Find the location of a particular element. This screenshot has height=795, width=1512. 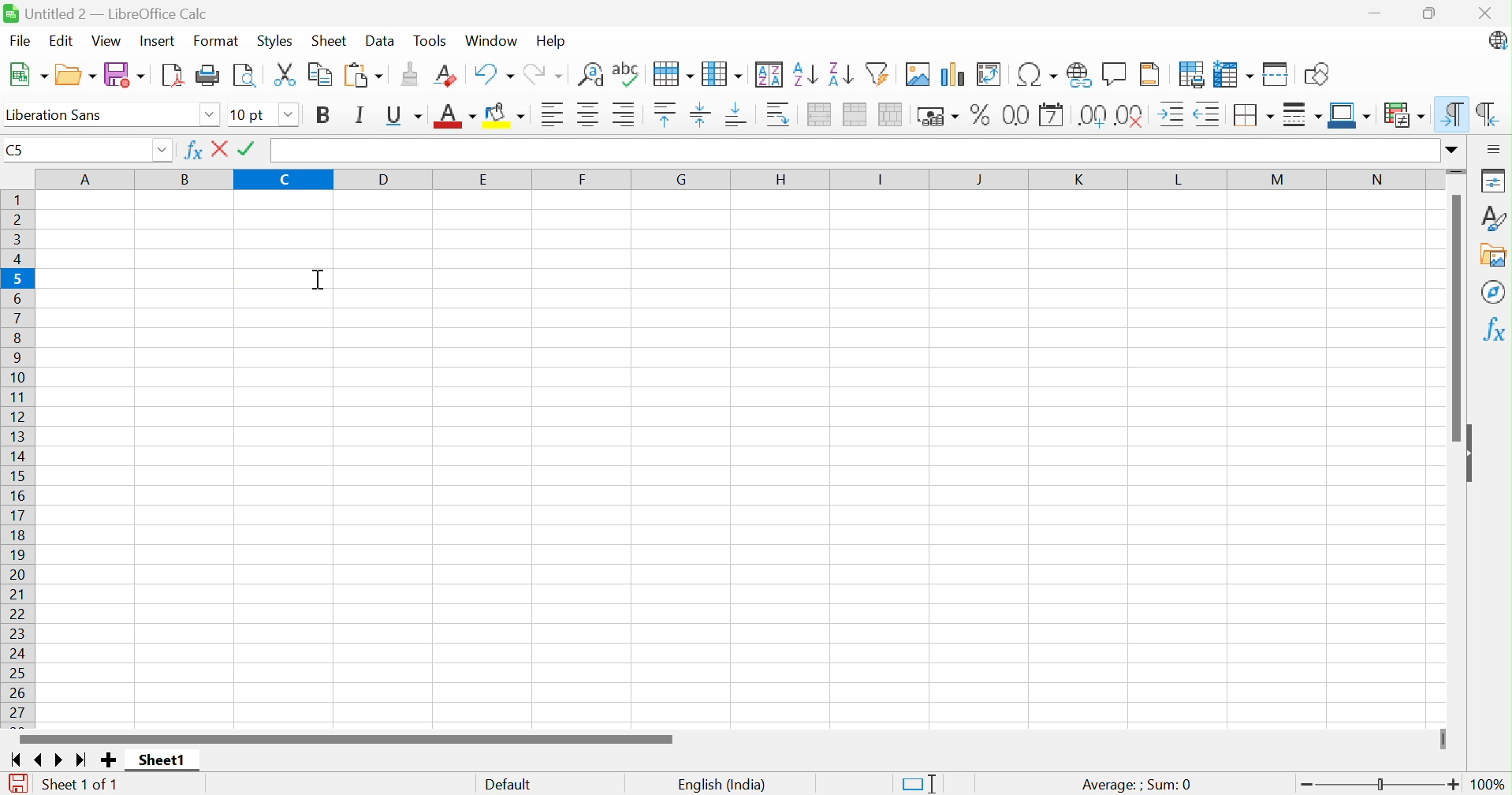

The document has been modified. Click to save the document is located at coordinates (13, 784).